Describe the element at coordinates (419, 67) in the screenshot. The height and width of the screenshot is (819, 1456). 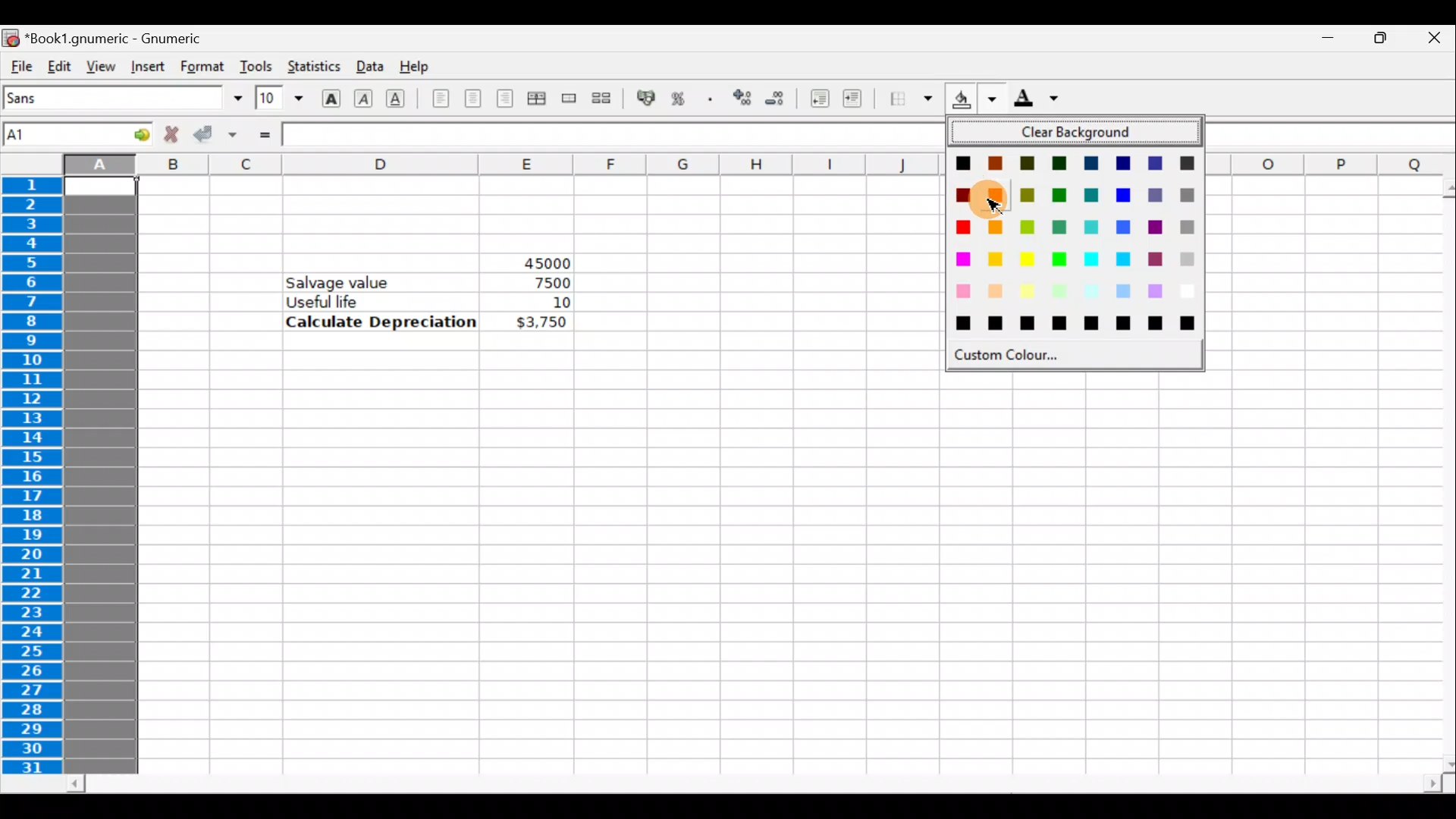
I see `Help` at that location.